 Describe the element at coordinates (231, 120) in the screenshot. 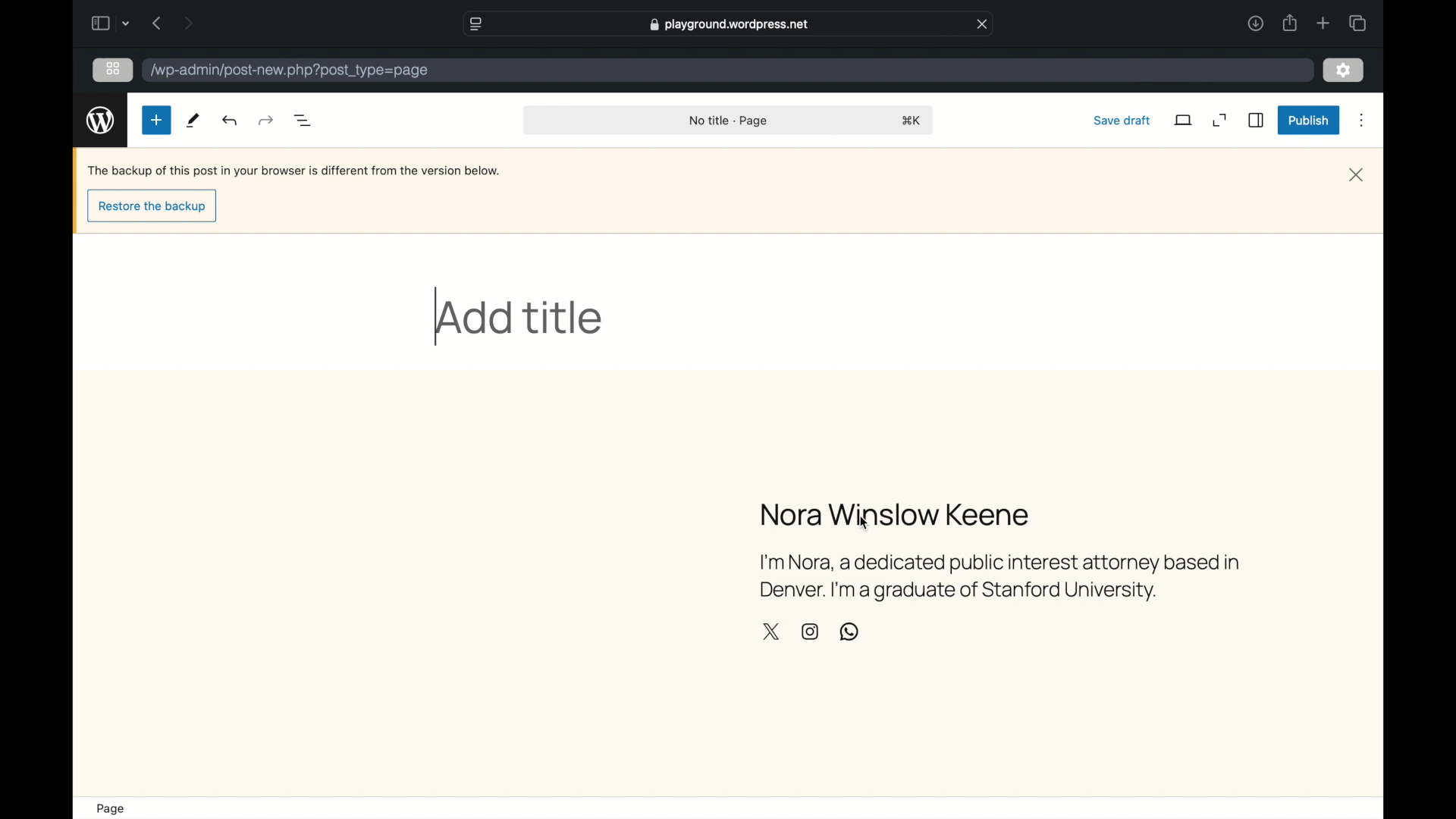

I see `redo` at that location.